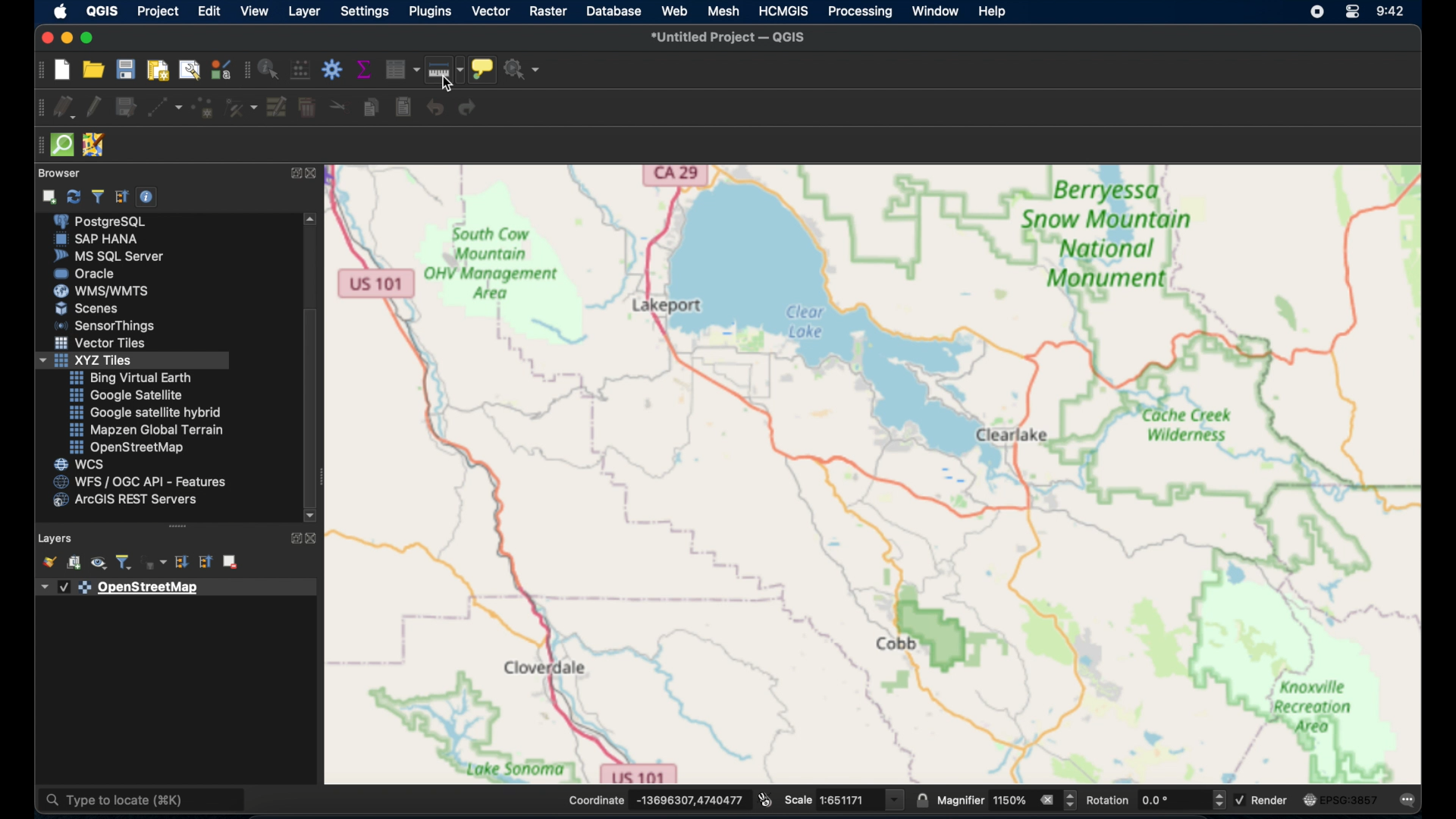 Image resolution: width=1456 pixels, height=819 pixels. What do you see at coordinates (143, 801) in the screenshot?
I see `type to locate` at bounding box center [143, 801].